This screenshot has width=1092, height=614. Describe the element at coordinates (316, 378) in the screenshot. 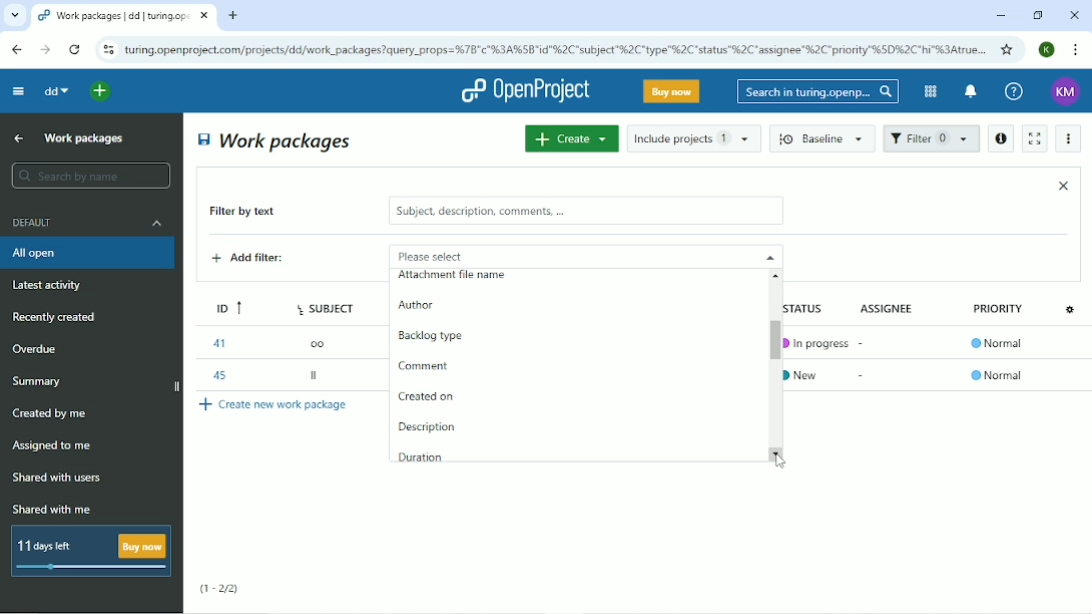

I see `ll` at that location.